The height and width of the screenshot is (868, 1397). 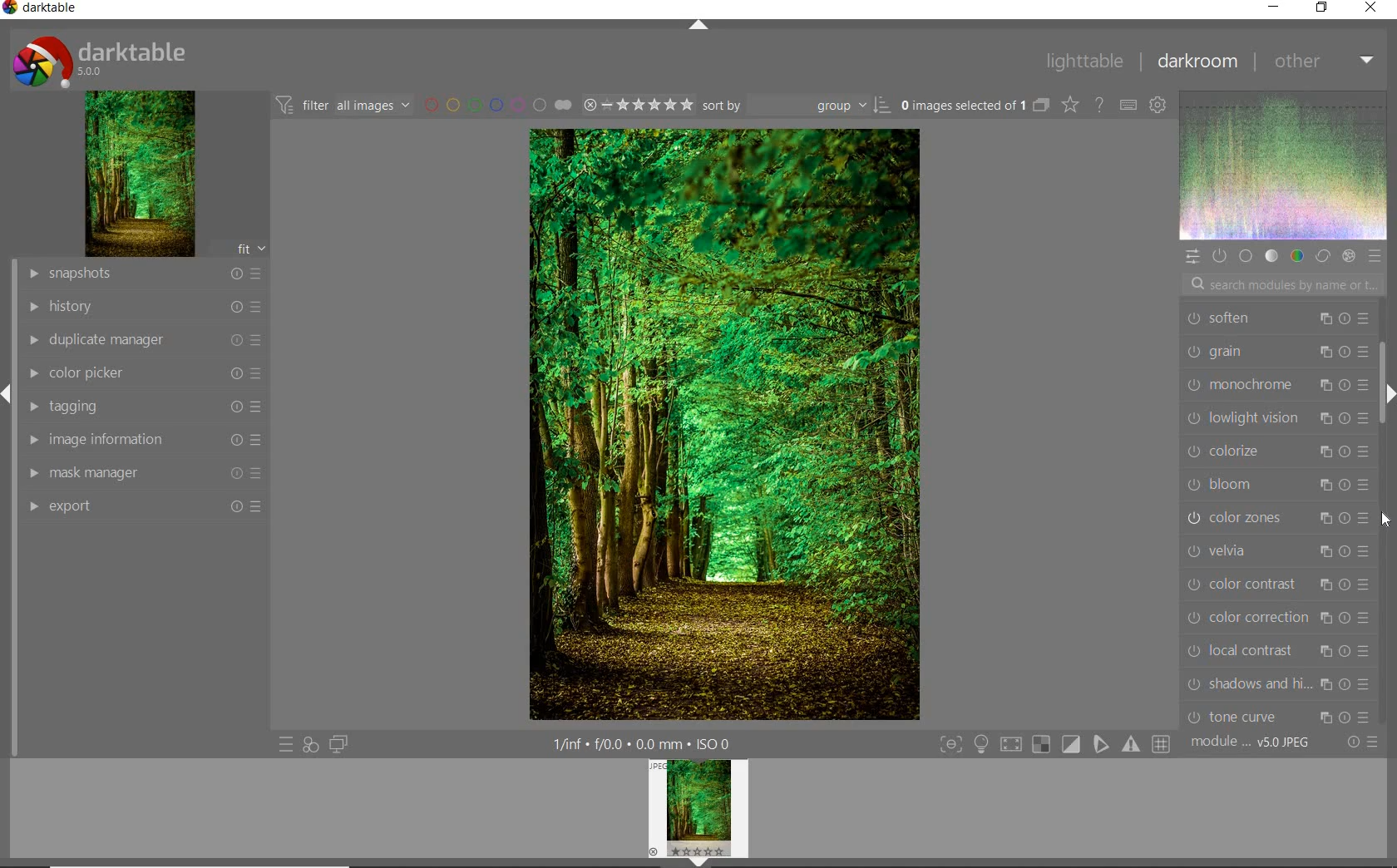 What do you see at coordinates (146, 508) in the screenshot?
I see `EFFORT` at bounding box center [146, 508].